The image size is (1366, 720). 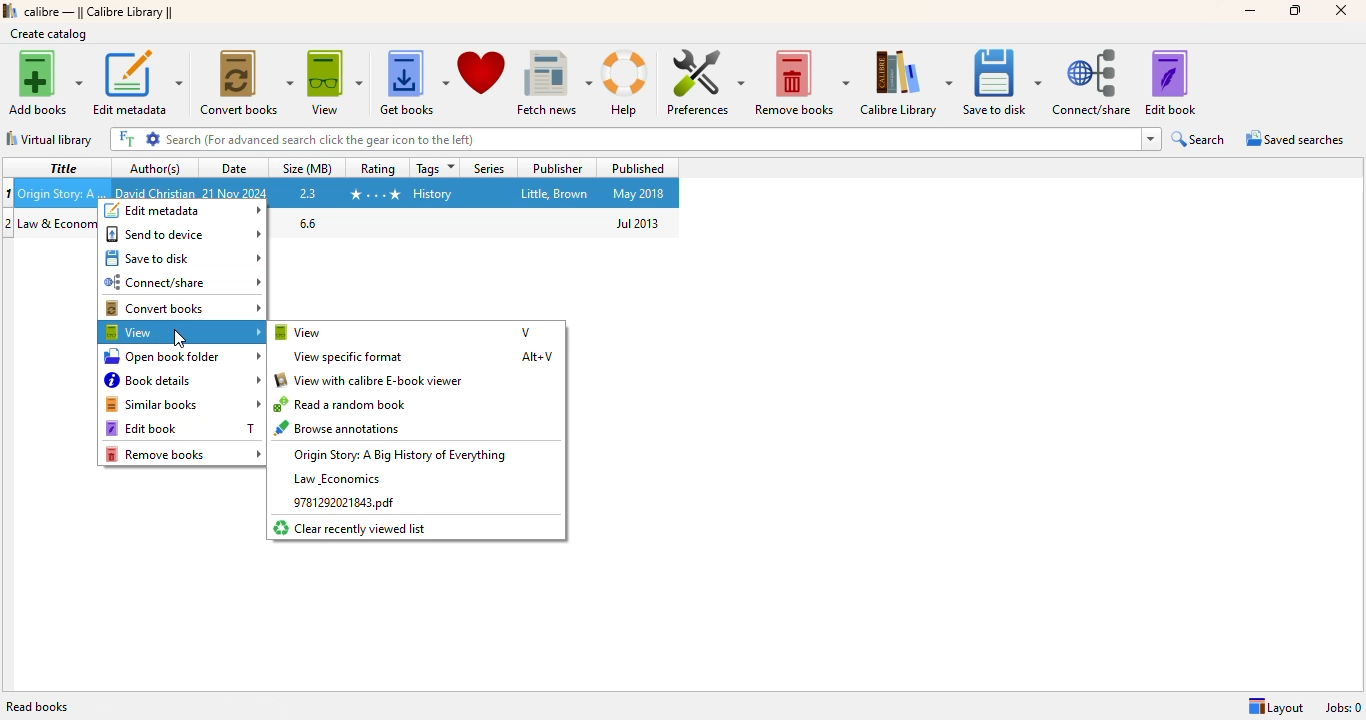 I want to click on pdf file, so click(x=342, y=503).